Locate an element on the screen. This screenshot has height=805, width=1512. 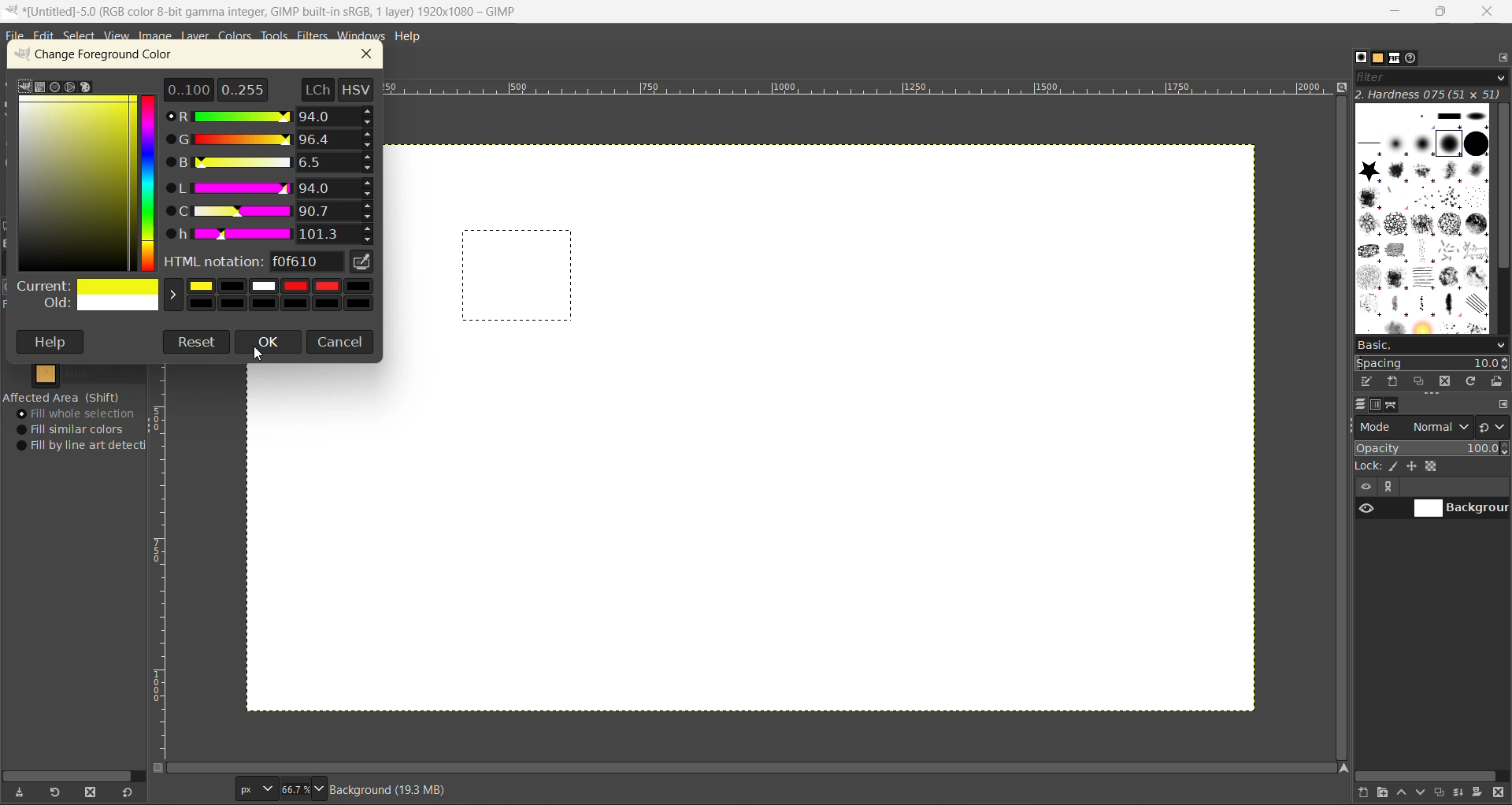
scroll bar is located at coordinates (755, 768).